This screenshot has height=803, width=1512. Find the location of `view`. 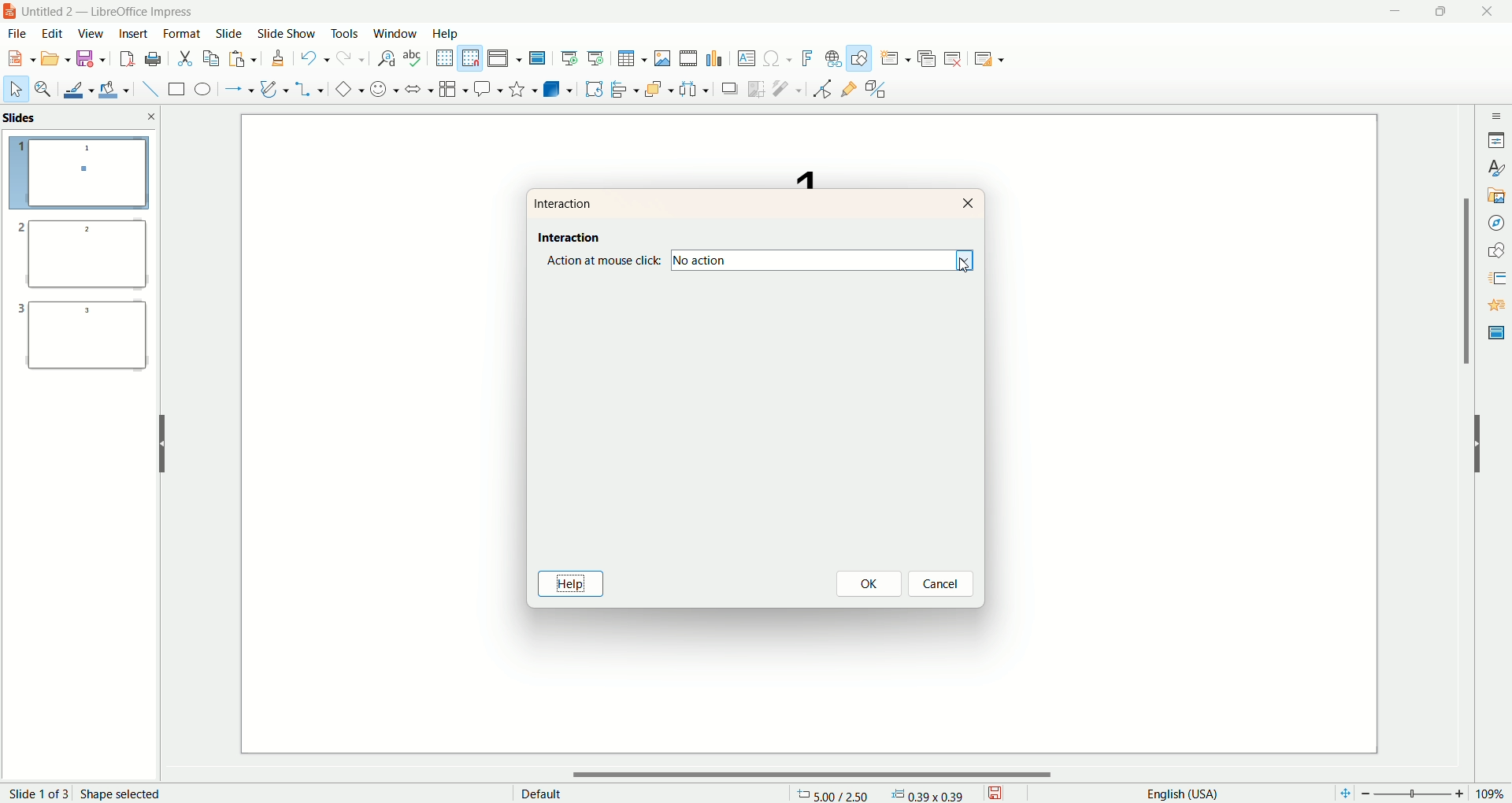

view is located at coordinates (88, 35).